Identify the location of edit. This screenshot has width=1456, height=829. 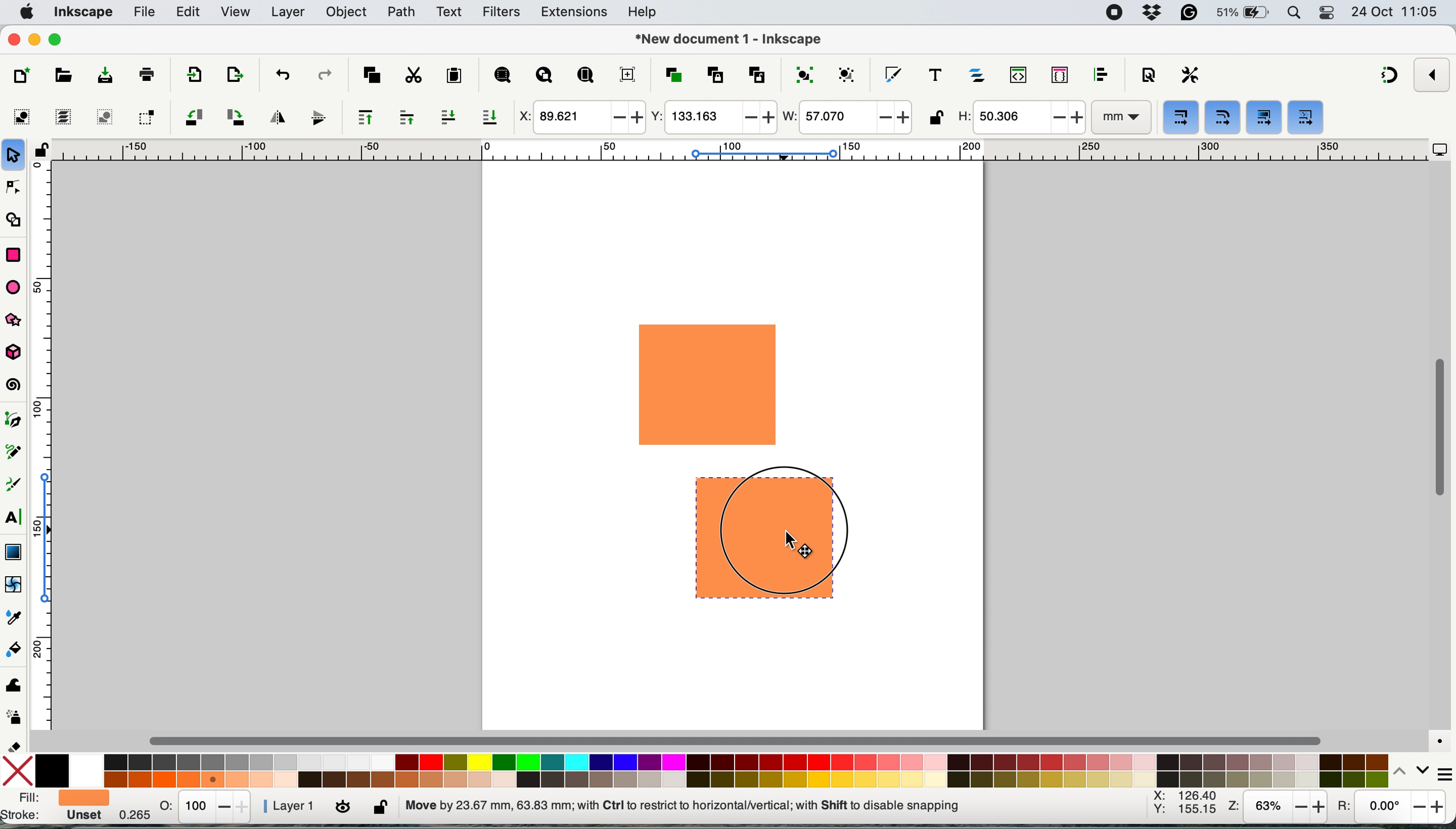
(190, 13).